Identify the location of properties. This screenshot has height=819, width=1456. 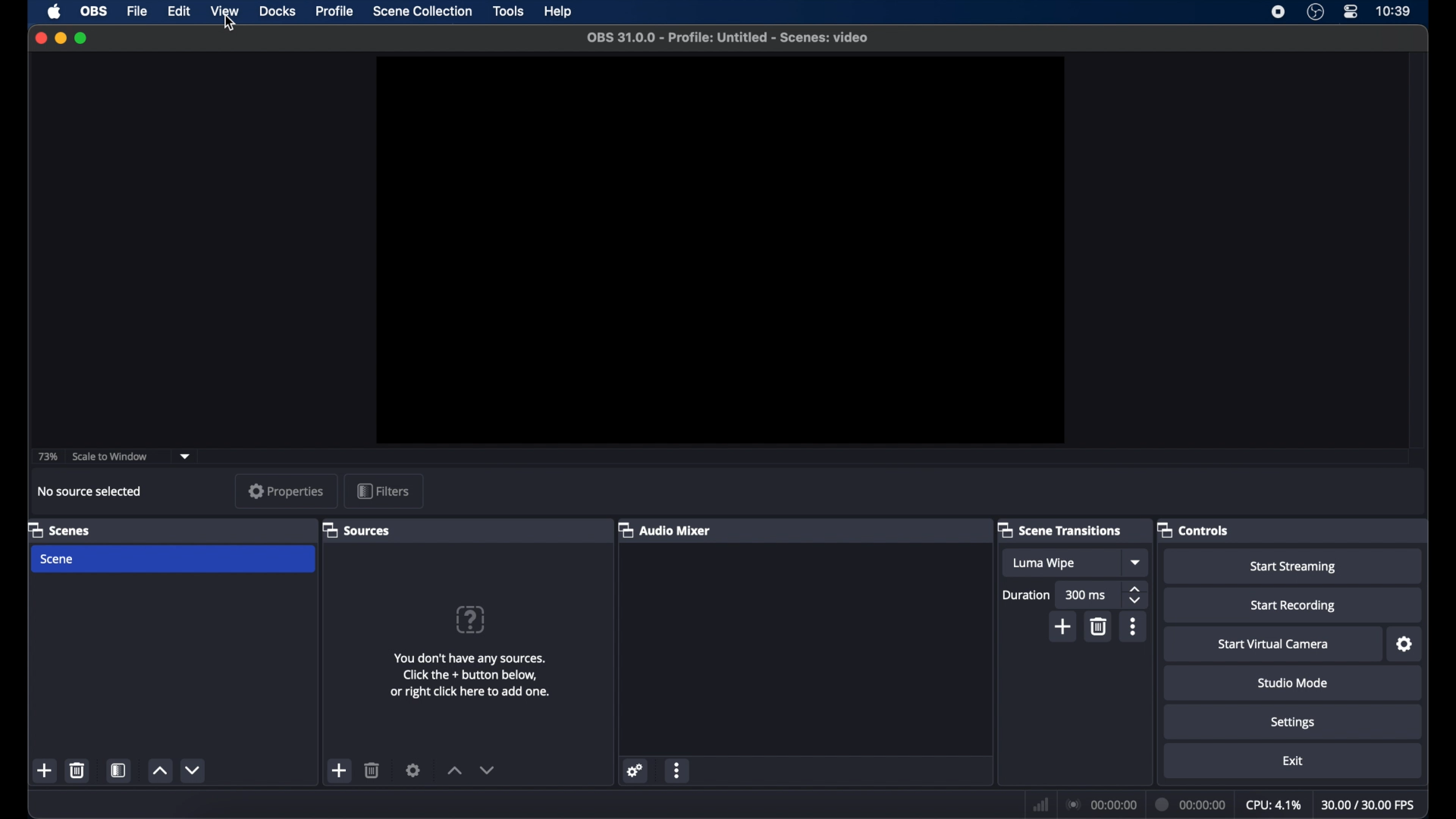
(285, 492).